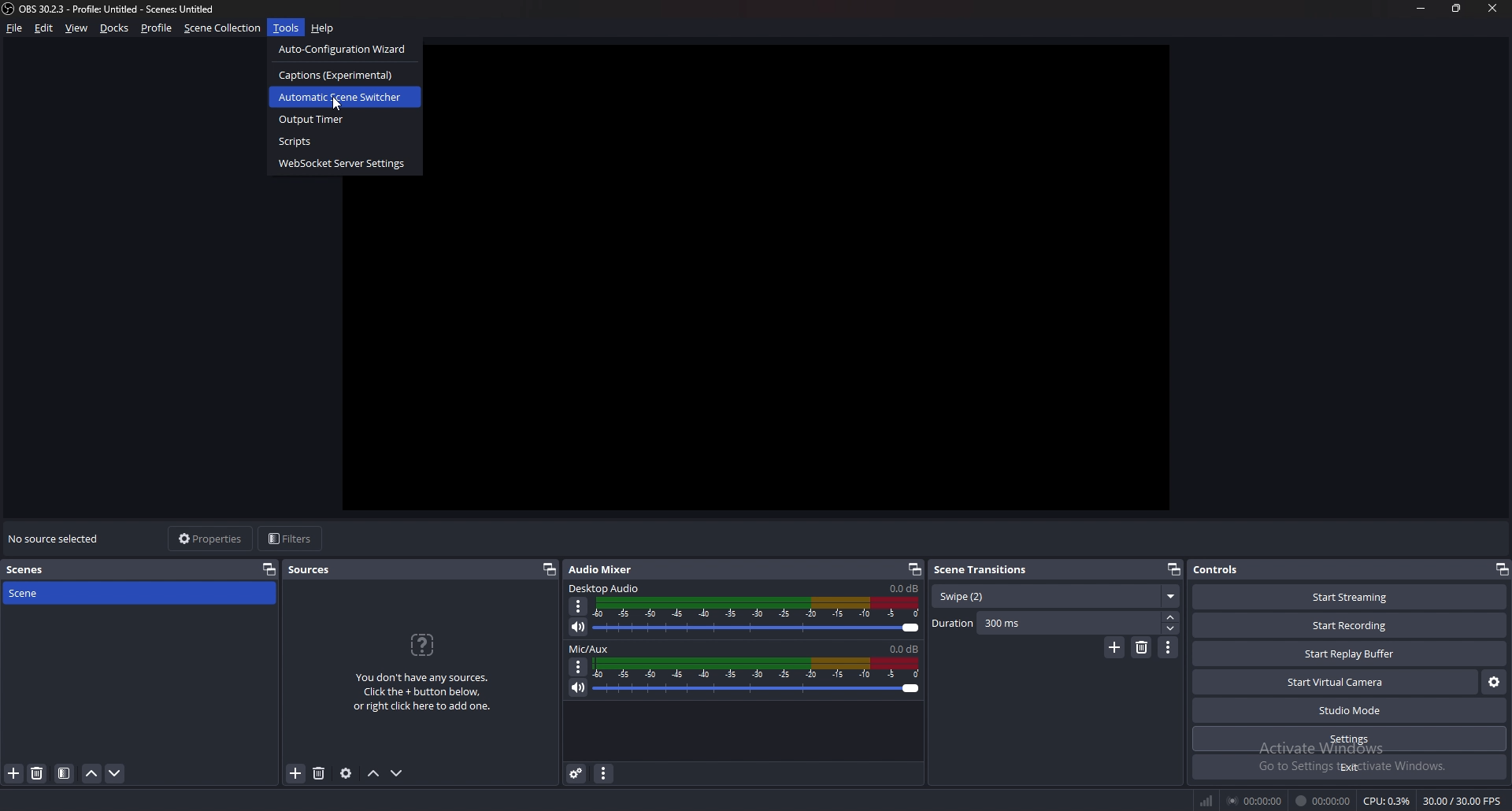 This screenshot has height=811, width=1512. Describe the element at coordinates (1351, 597) in the screenshot. I see `start streaming` at that location.